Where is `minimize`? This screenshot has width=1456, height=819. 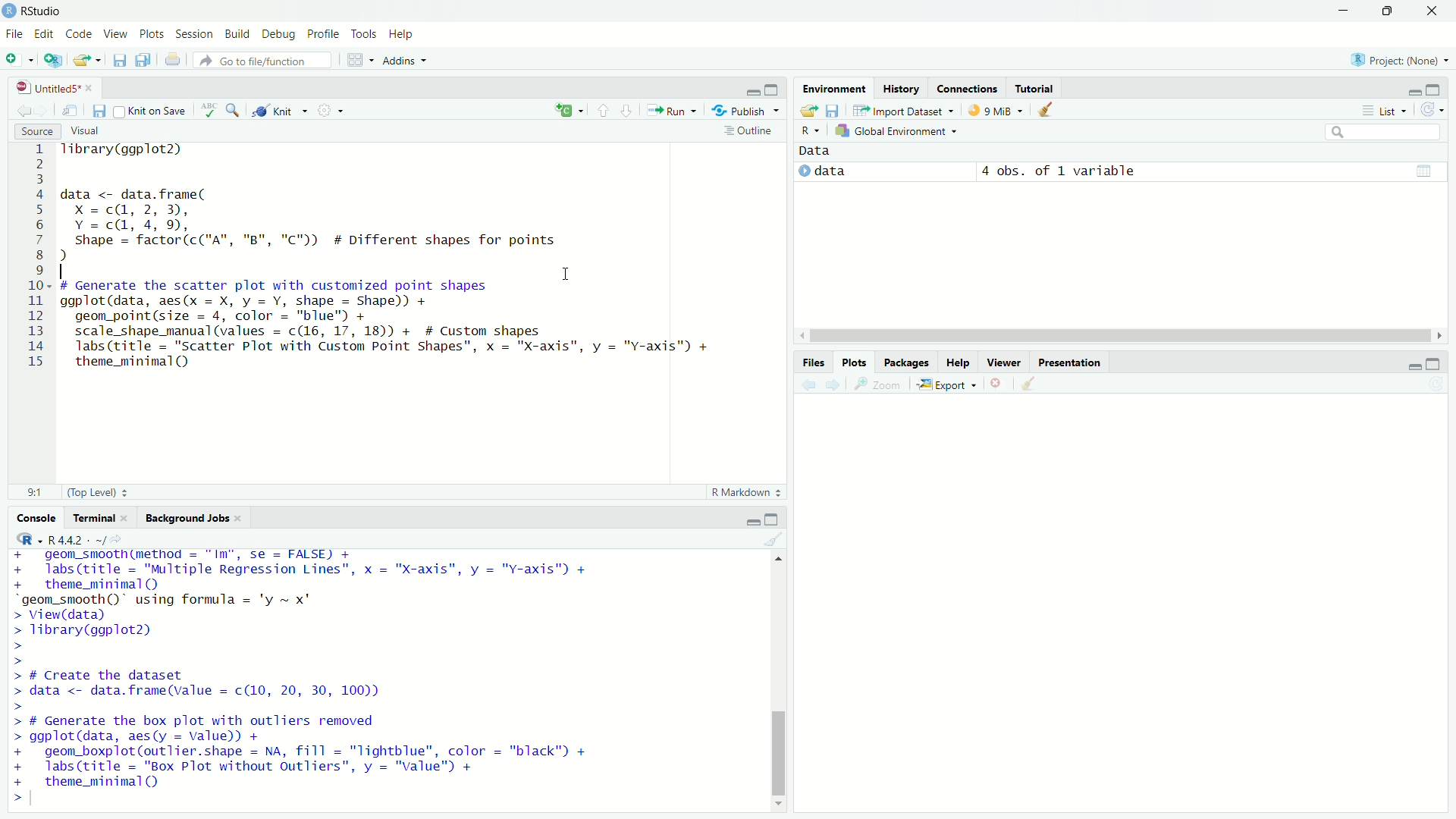
minimize is located at coordinates (1345, 11).